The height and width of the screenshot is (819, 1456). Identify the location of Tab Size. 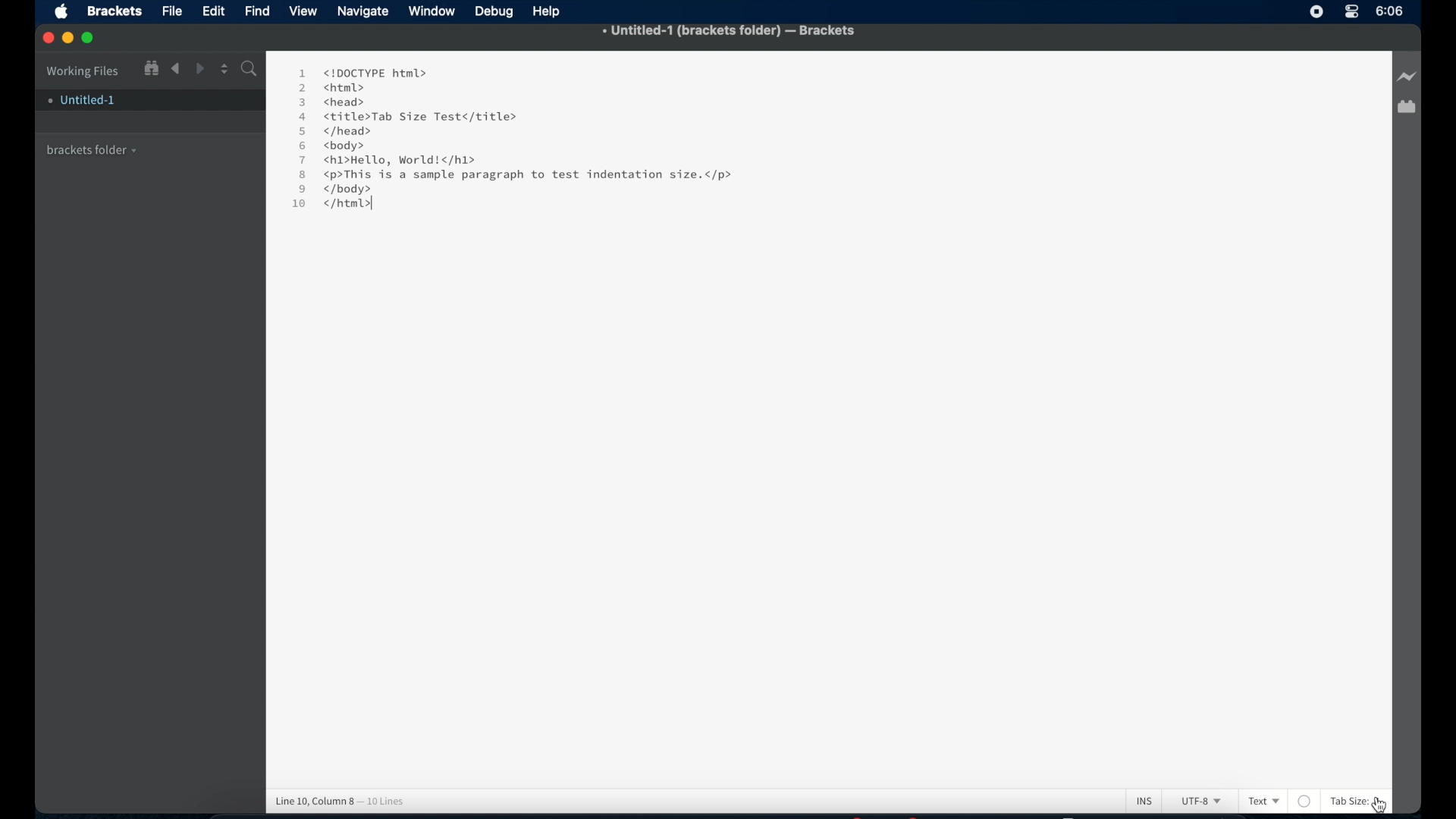
(1348, 801).